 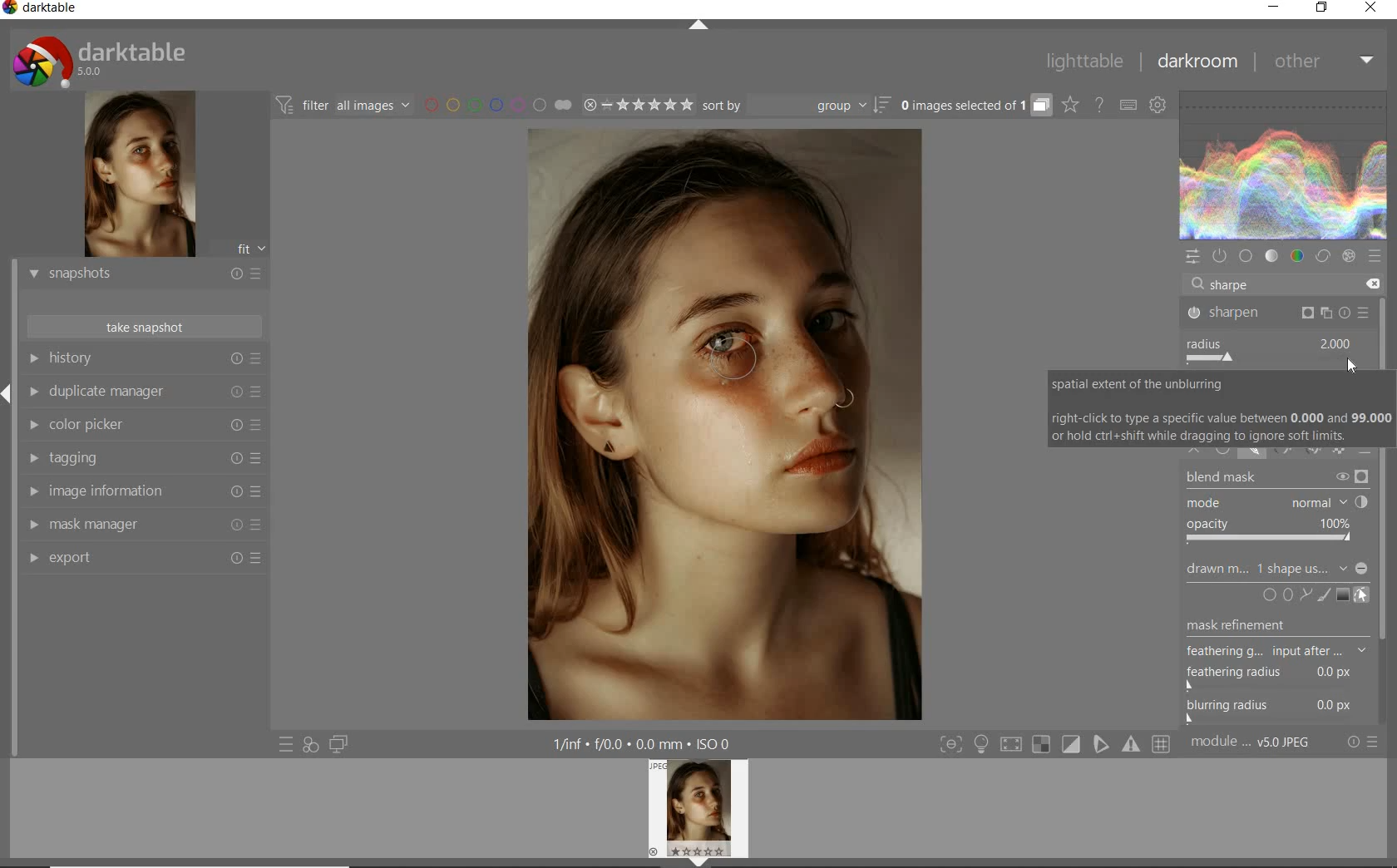 I want to click on export, so click(x=144, y=560).